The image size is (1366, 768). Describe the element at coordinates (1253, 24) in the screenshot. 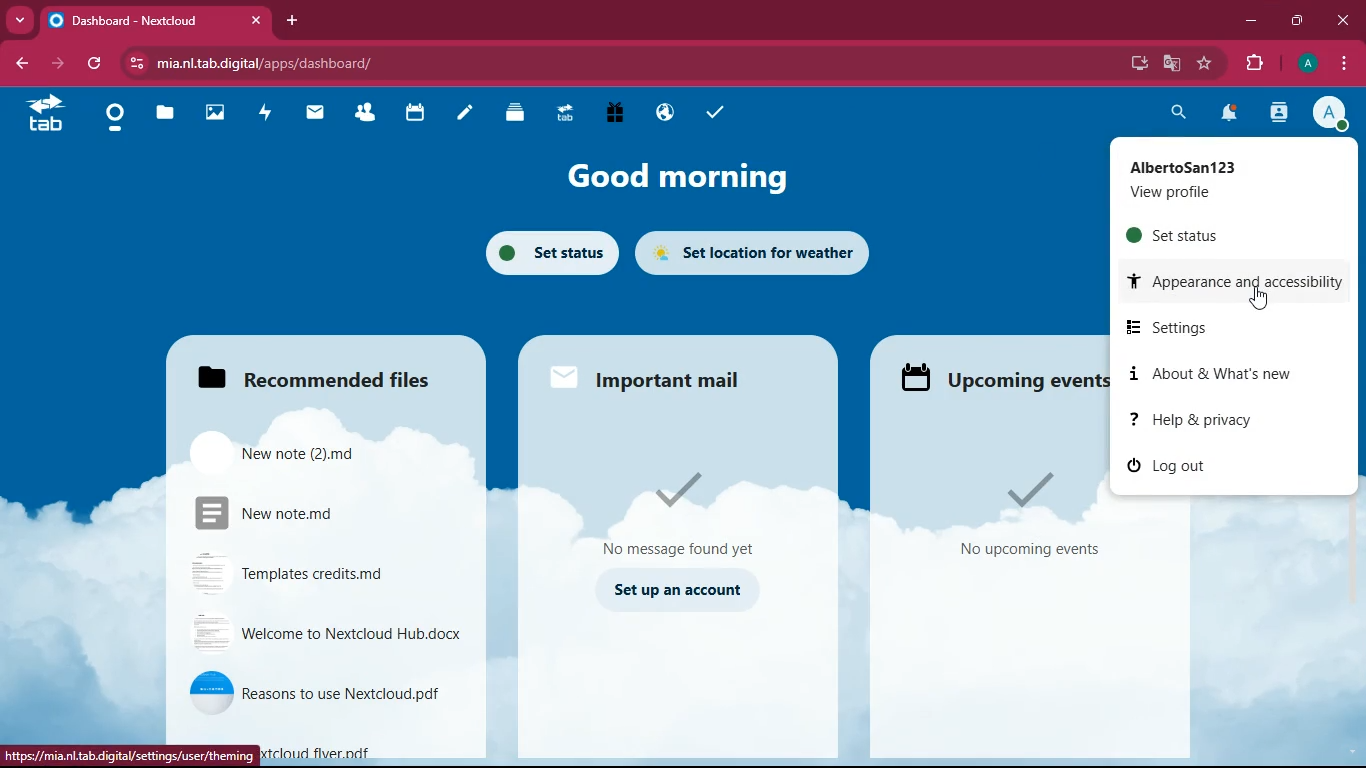

I see `minimize` at that location.